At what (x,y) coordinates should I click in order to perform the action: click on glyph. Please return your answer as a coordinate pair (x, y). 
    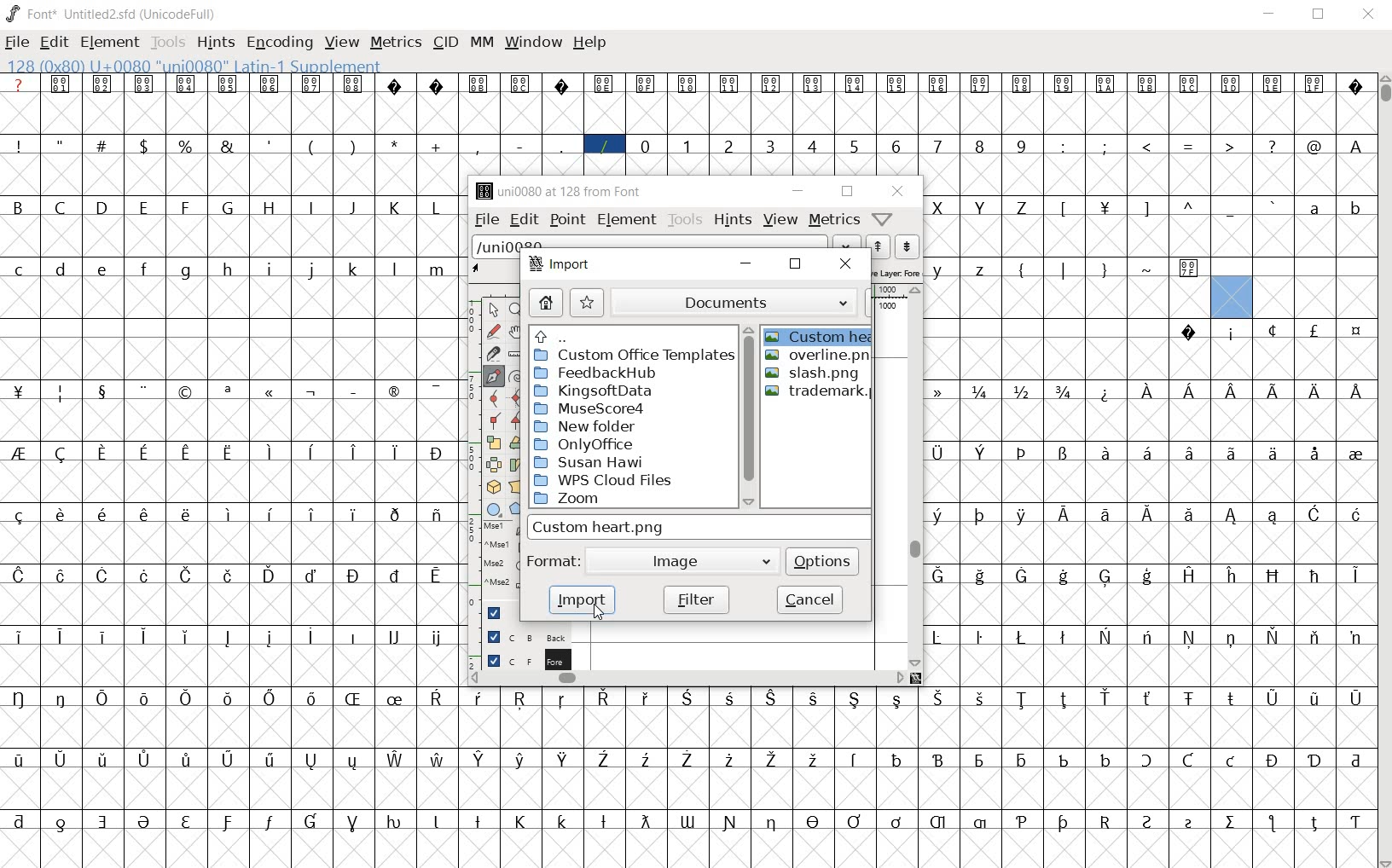
    Looking at the image, I should click on (897, 701).